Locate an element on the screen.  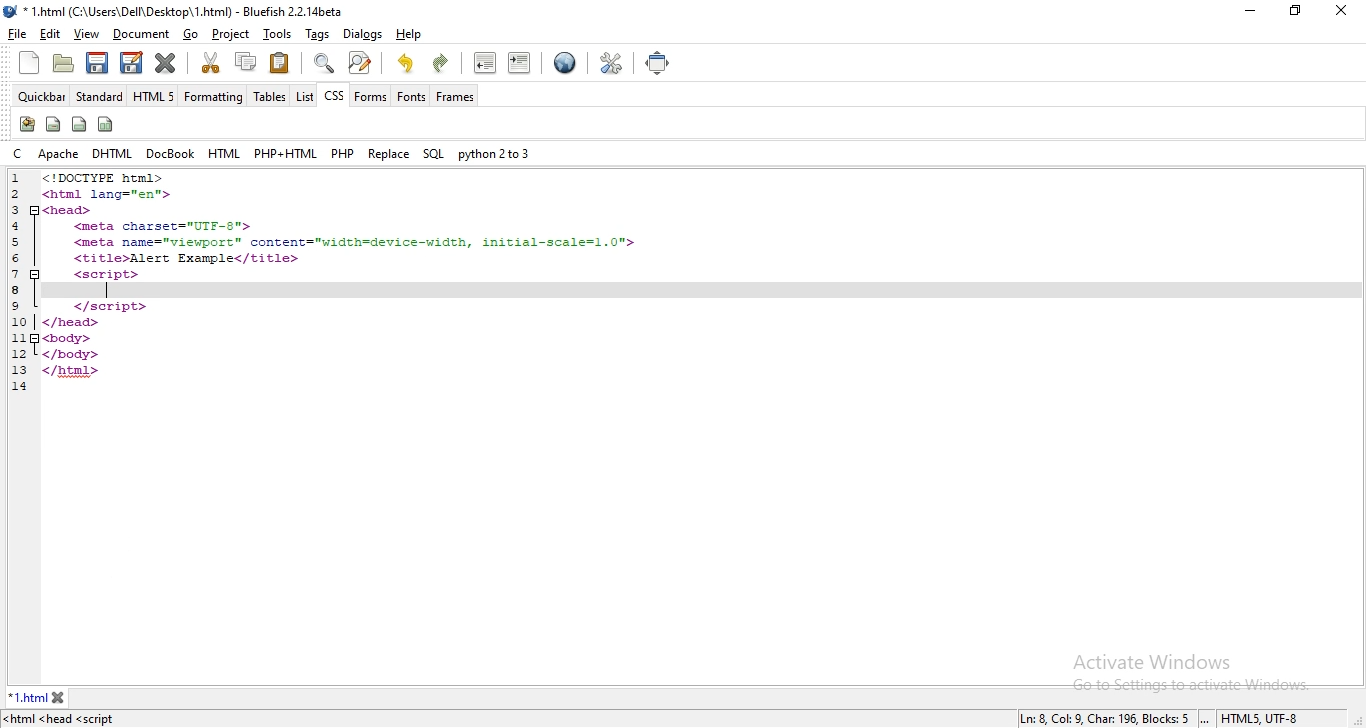
help is located at coordinates (407, 36).